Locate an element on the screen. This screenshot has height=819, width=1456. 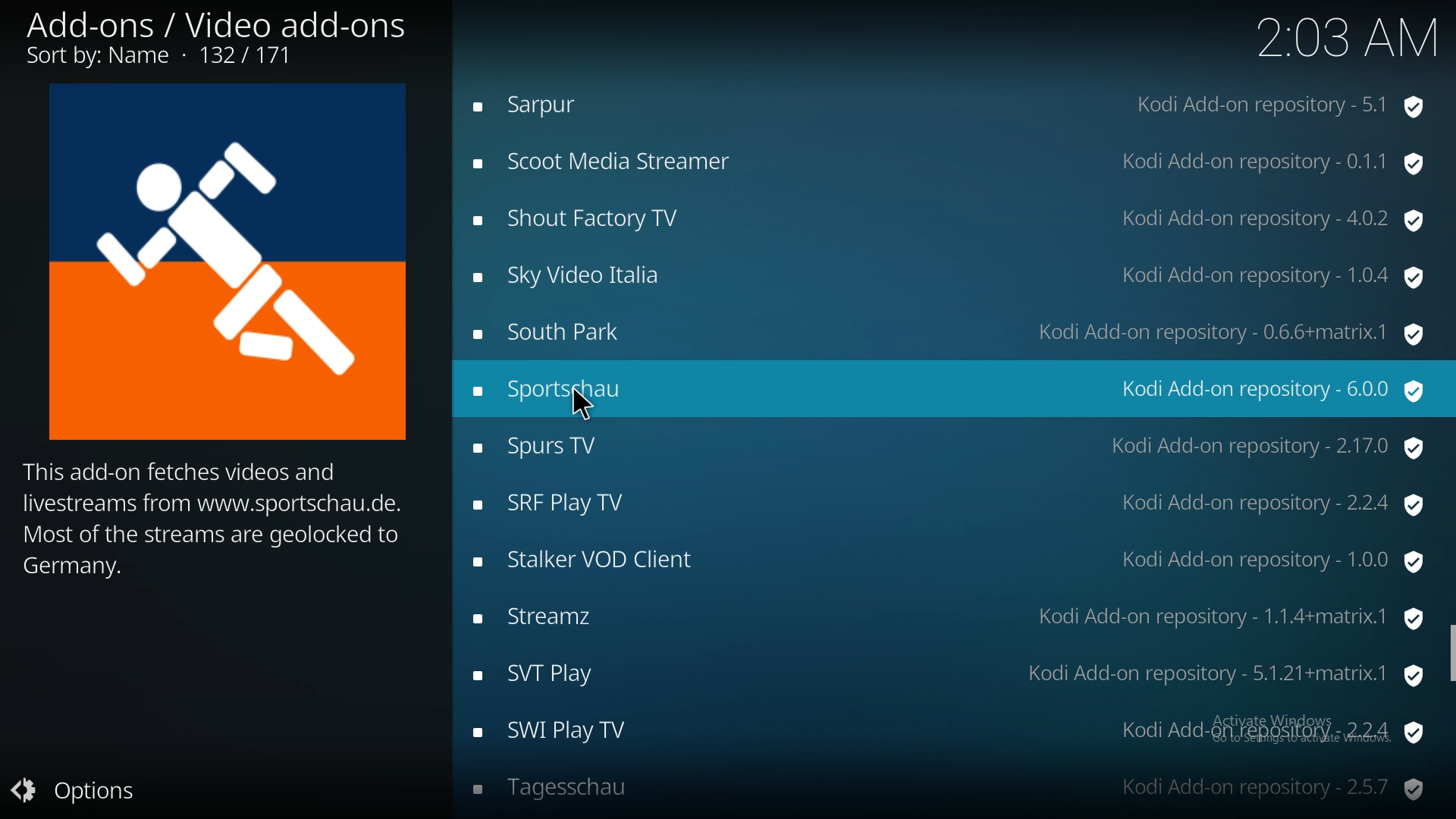
scroll bar is located at coordinates (1450, 652).